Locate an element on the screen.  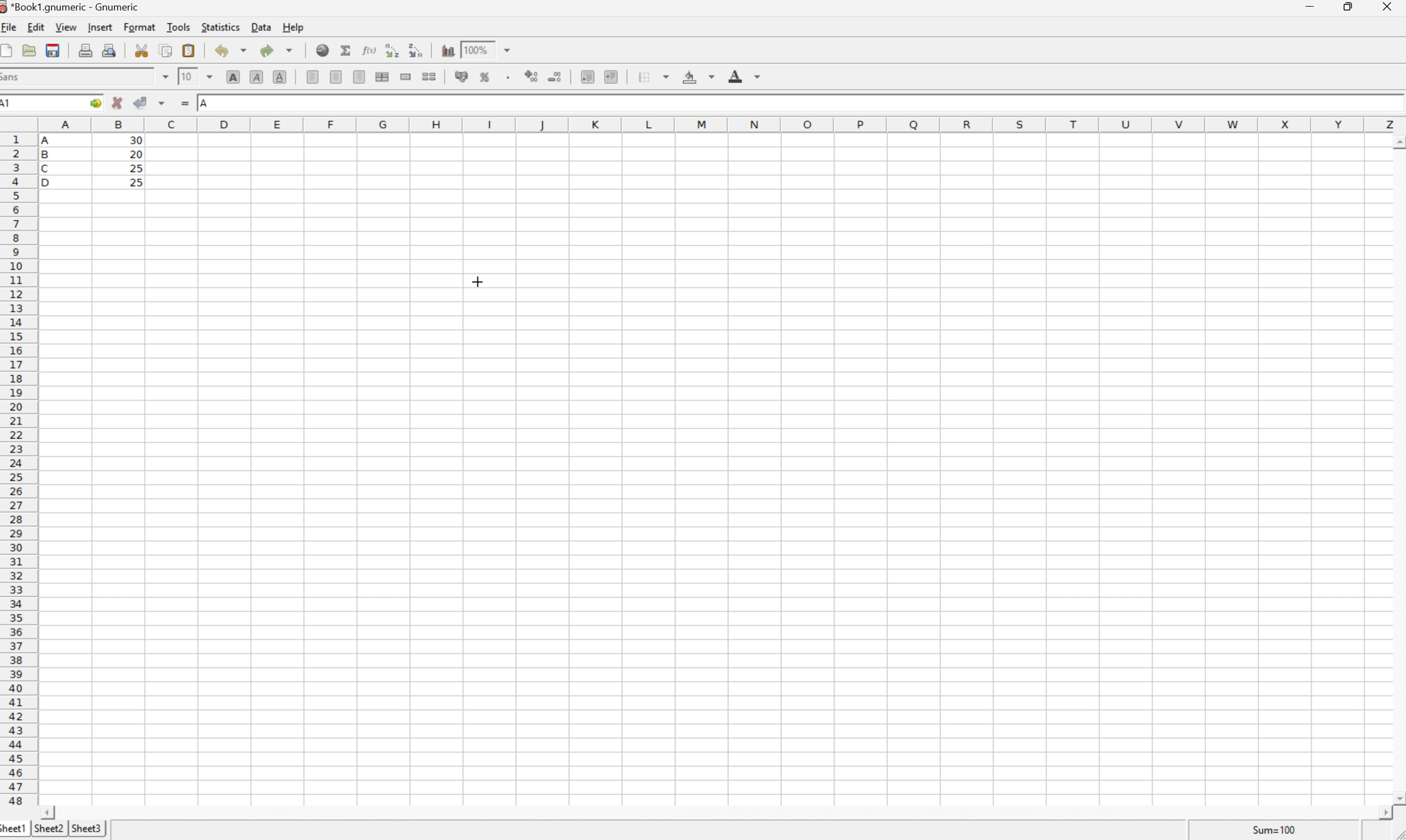
Save the current workbook is located at coordinates (52, 50).